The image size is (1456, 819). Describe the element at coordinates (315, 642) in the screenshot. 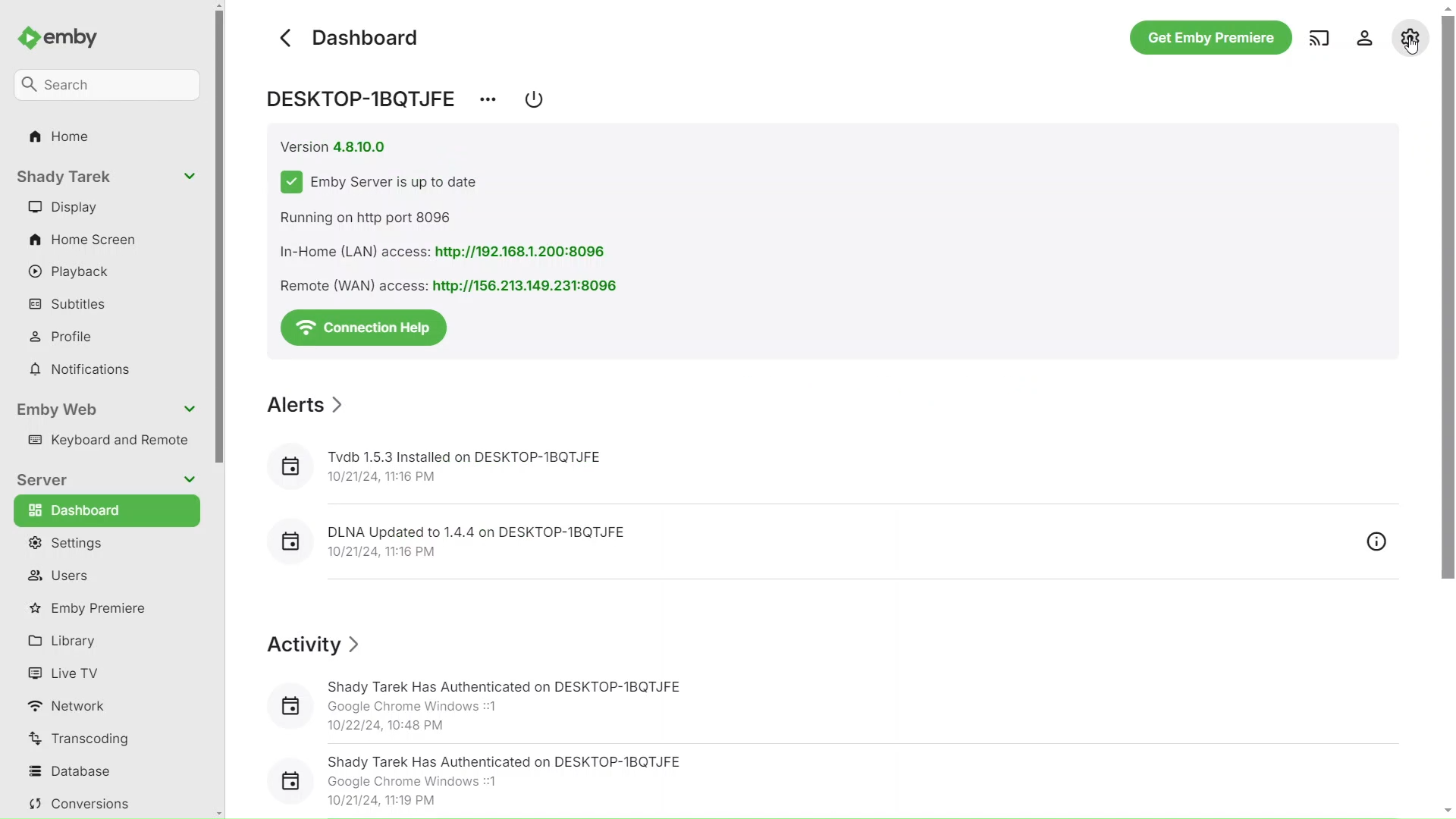

I see `Activity` at that location.